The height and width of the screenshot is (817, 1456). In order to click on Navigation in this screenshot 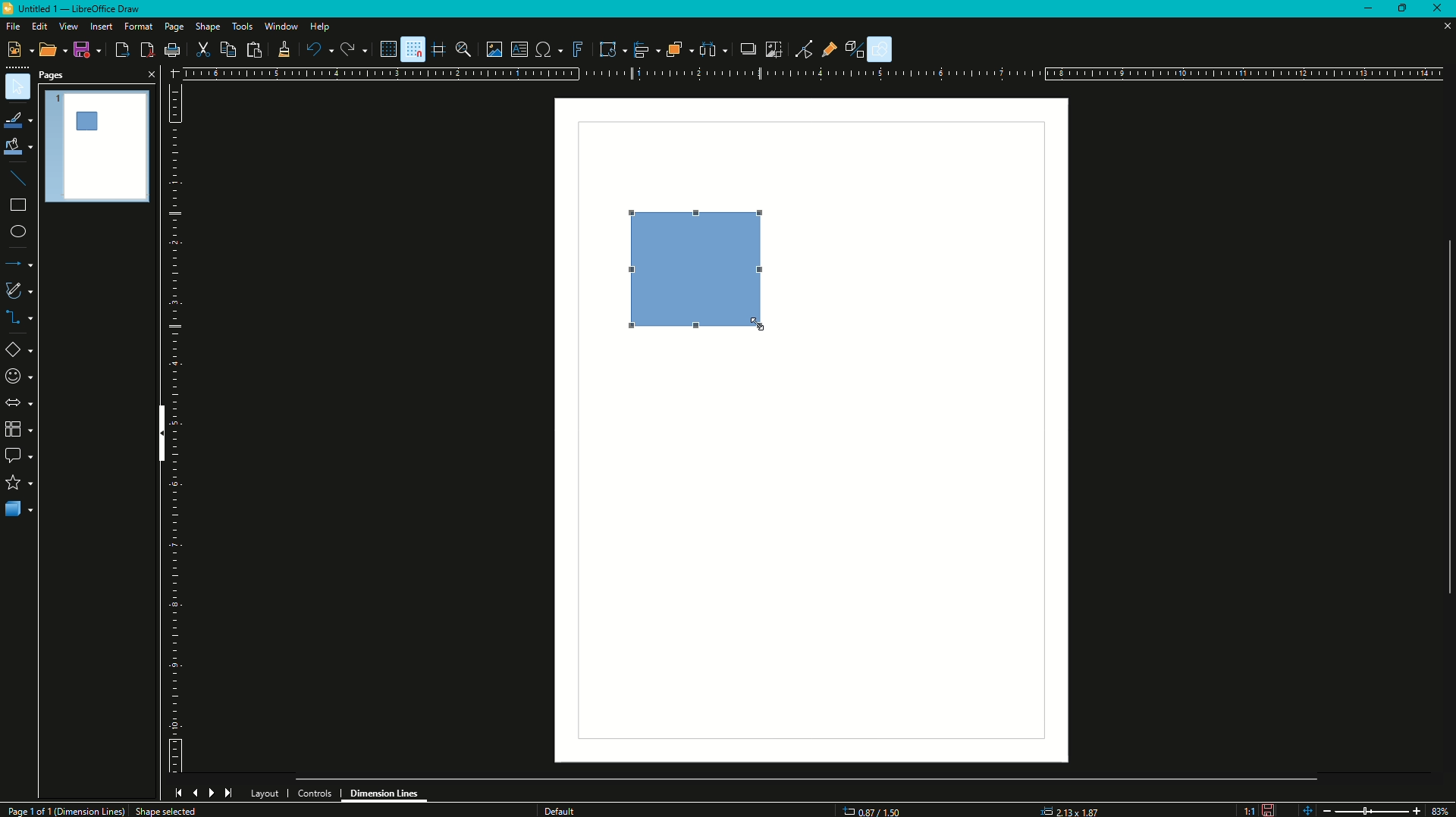, I will do `click(203, 793)`.